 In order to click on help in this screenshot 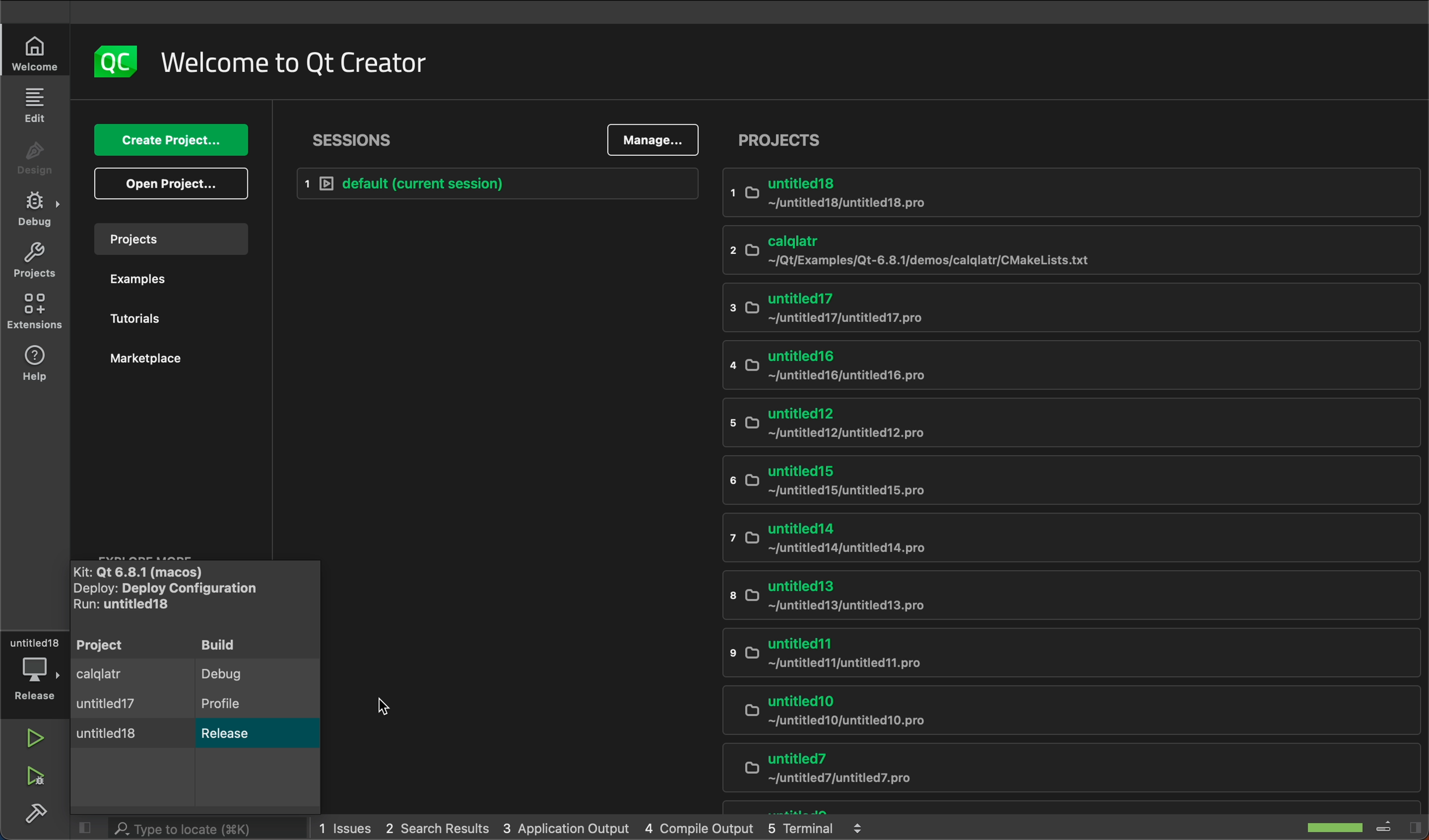, I will do `click(34, 364)`.